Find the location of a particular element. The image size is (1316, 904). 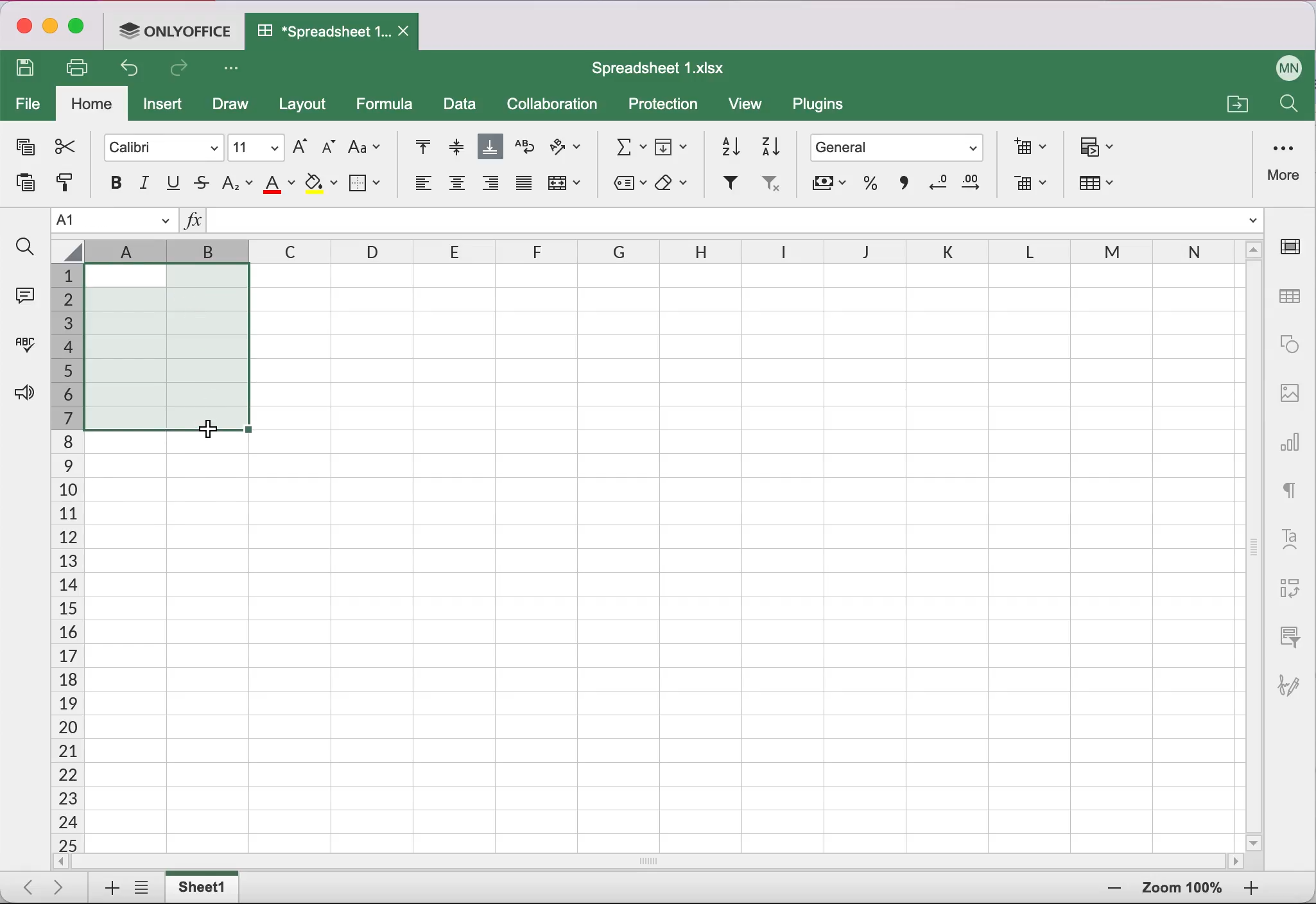

Find is located at coordinates (1287, 107).